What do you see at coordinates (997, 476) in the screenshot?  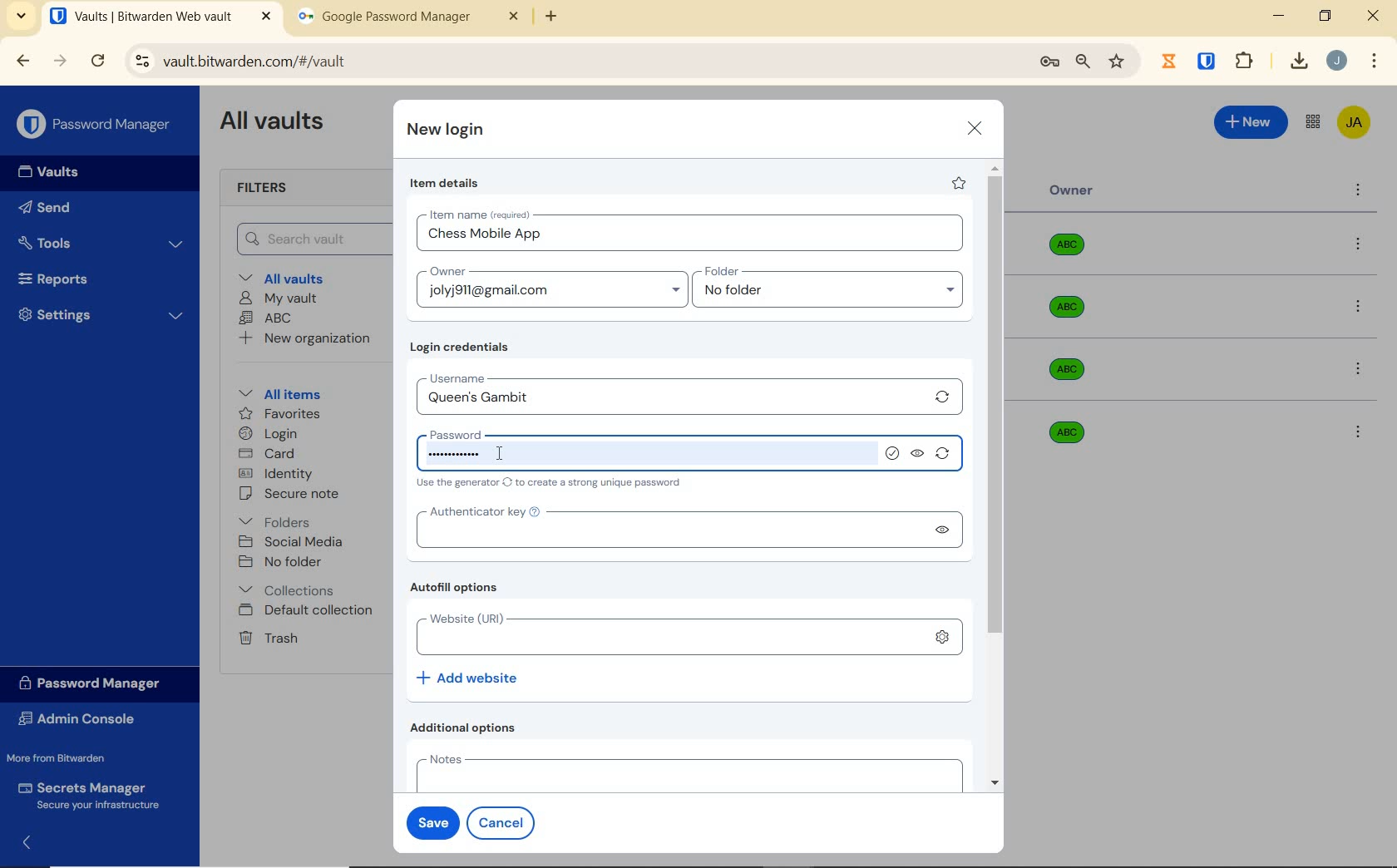 I see `scrollbar` at bounding box center [997, 476].